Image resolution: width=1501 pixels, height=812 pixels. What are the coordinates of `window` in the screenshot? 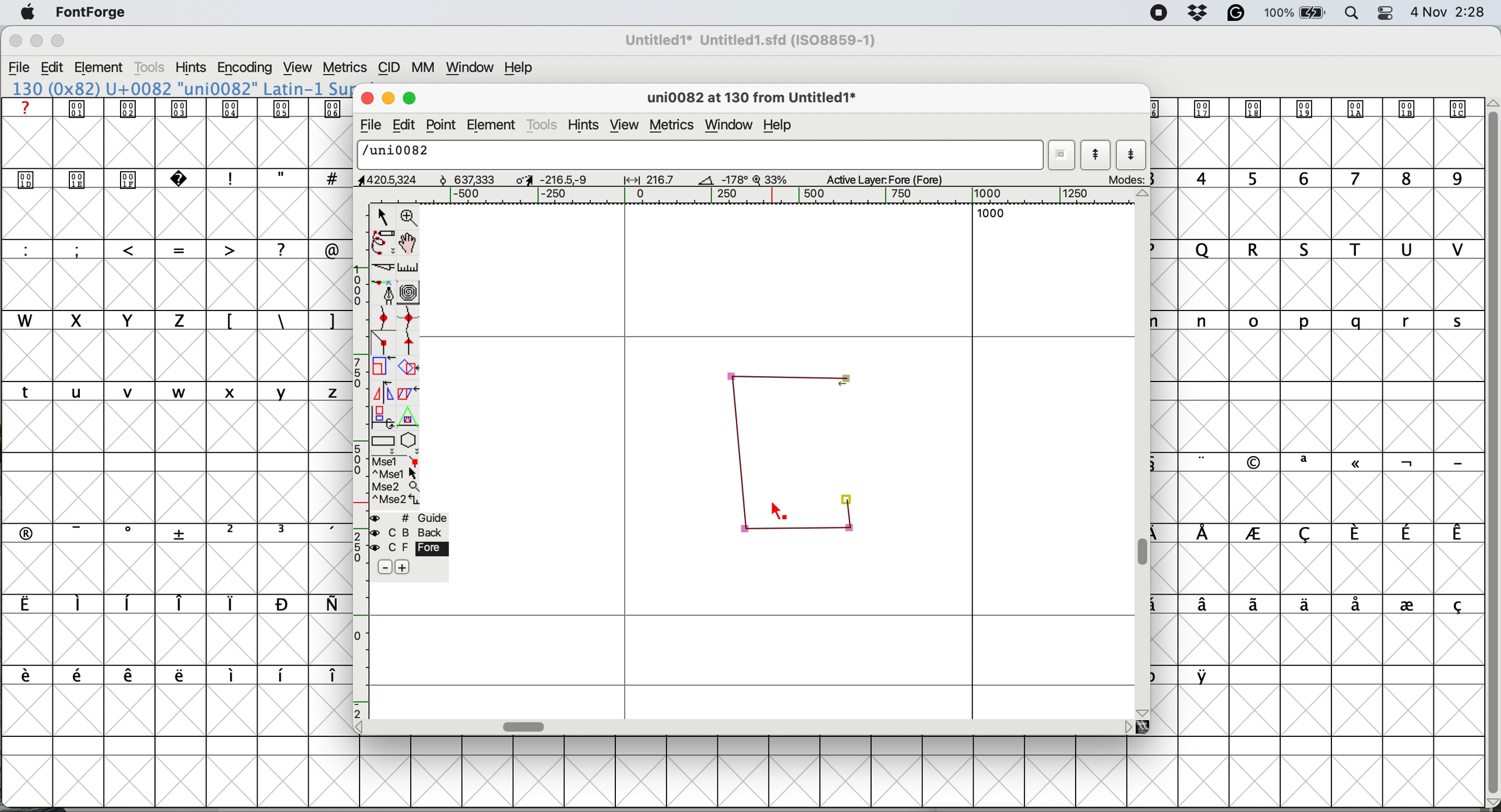 It's located at (472, 68).